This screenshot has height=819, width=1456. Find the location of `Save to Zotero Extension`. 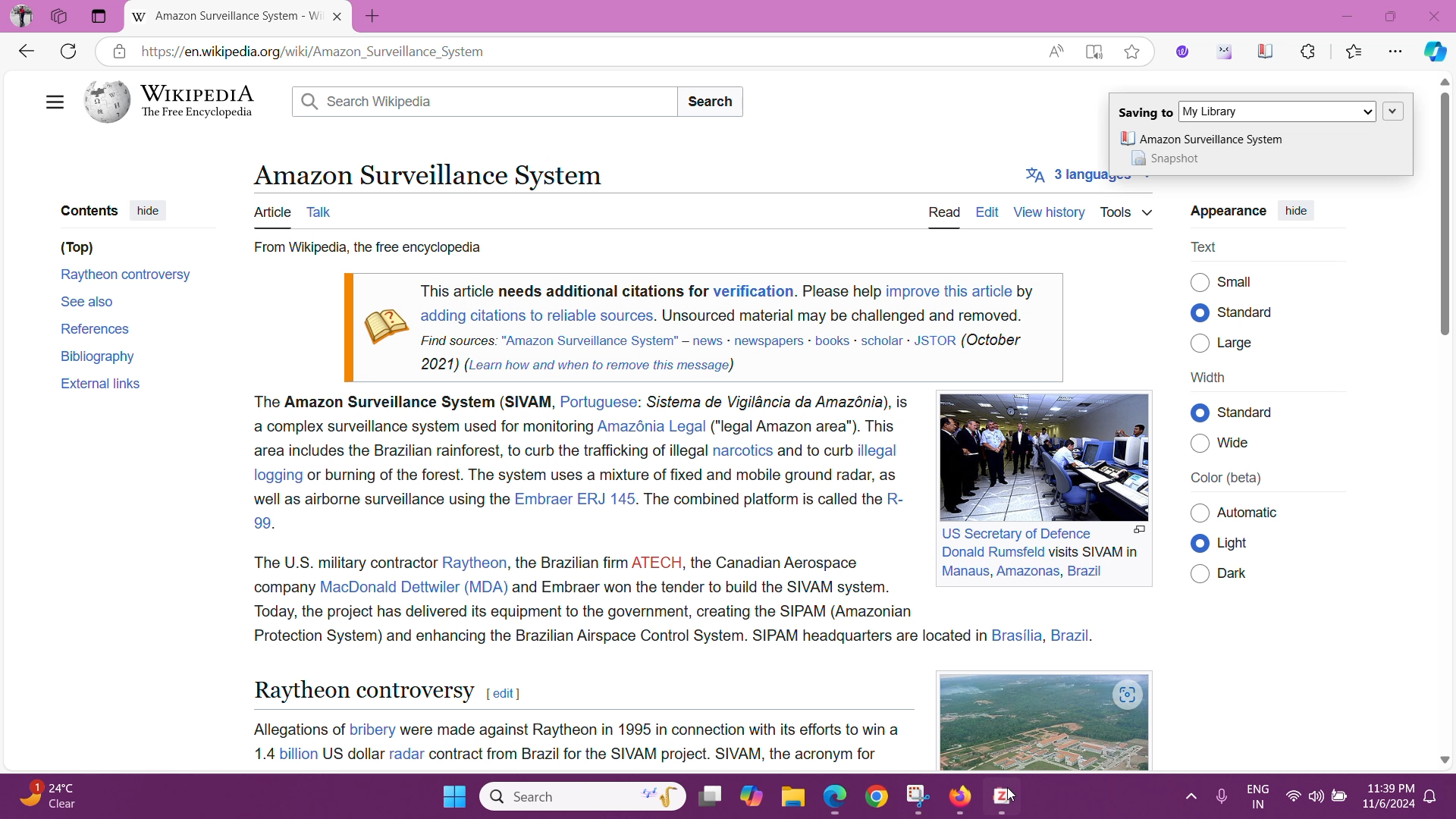

Save to Zotero Extension is located at coordinates (1265, 51).